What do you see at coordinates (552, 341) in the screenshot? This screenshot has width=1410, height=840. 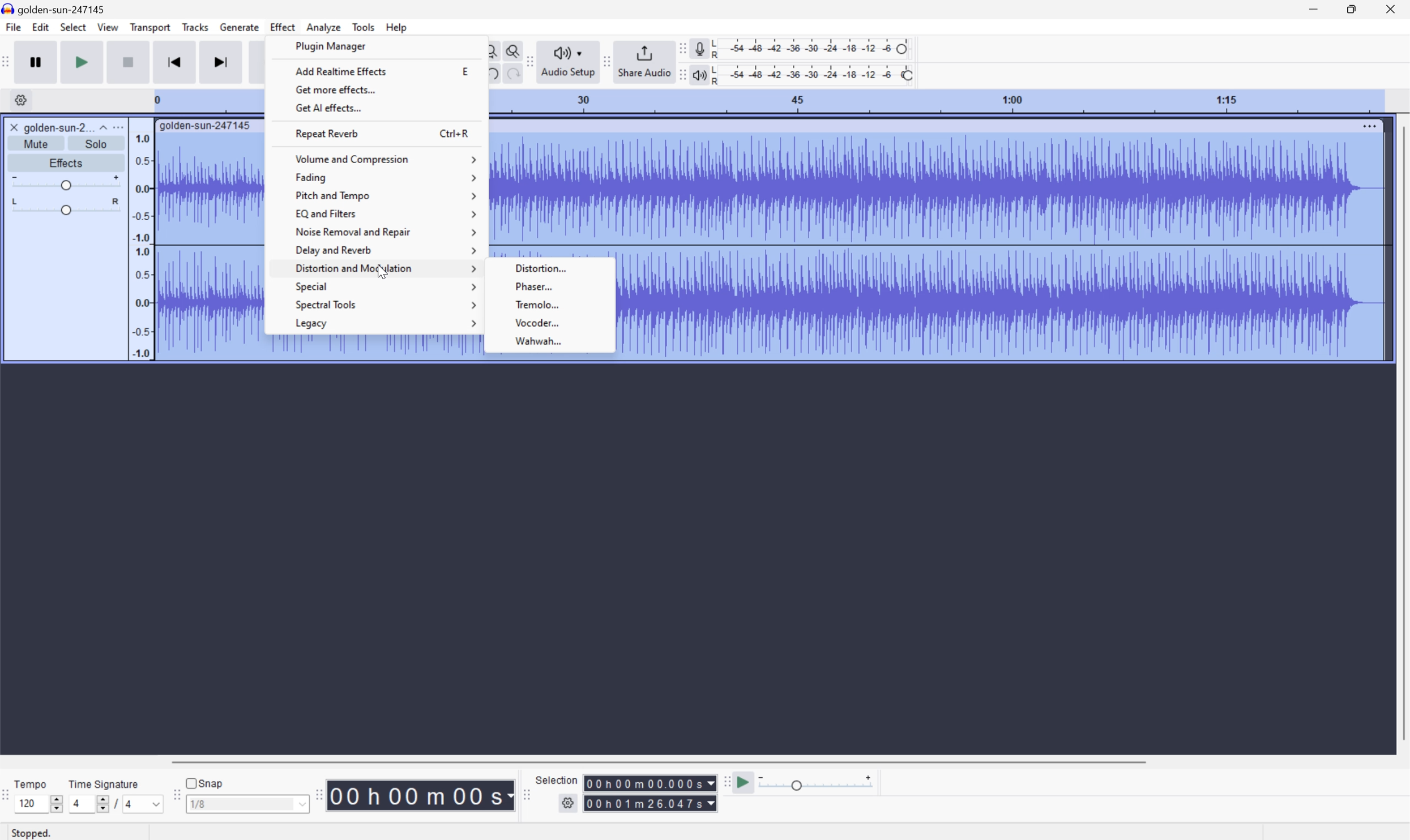 I see `Wahwah...` at bounding box center [552, 341].